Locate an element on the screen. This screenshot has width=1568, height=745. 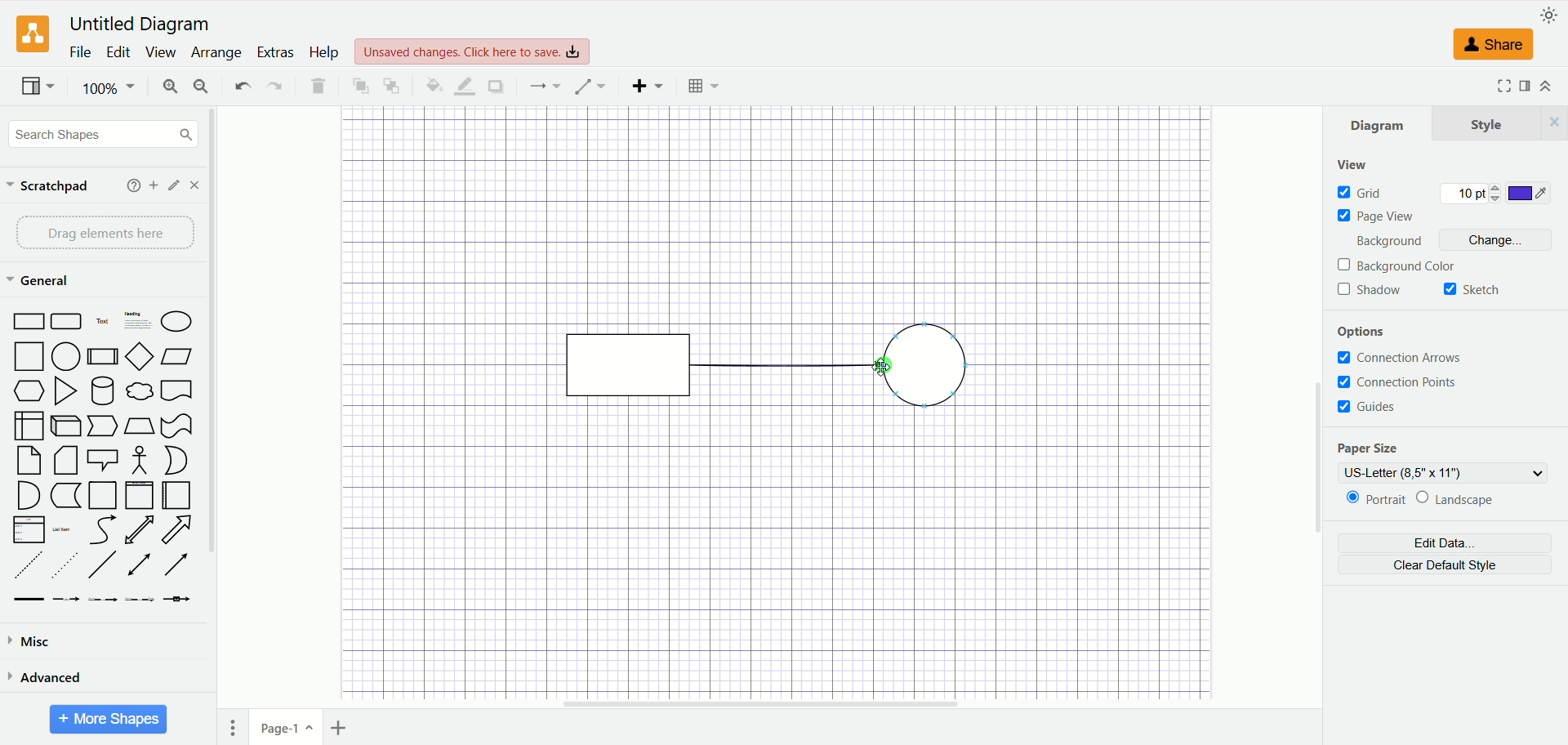
pages is located at coordinates (234, 728).